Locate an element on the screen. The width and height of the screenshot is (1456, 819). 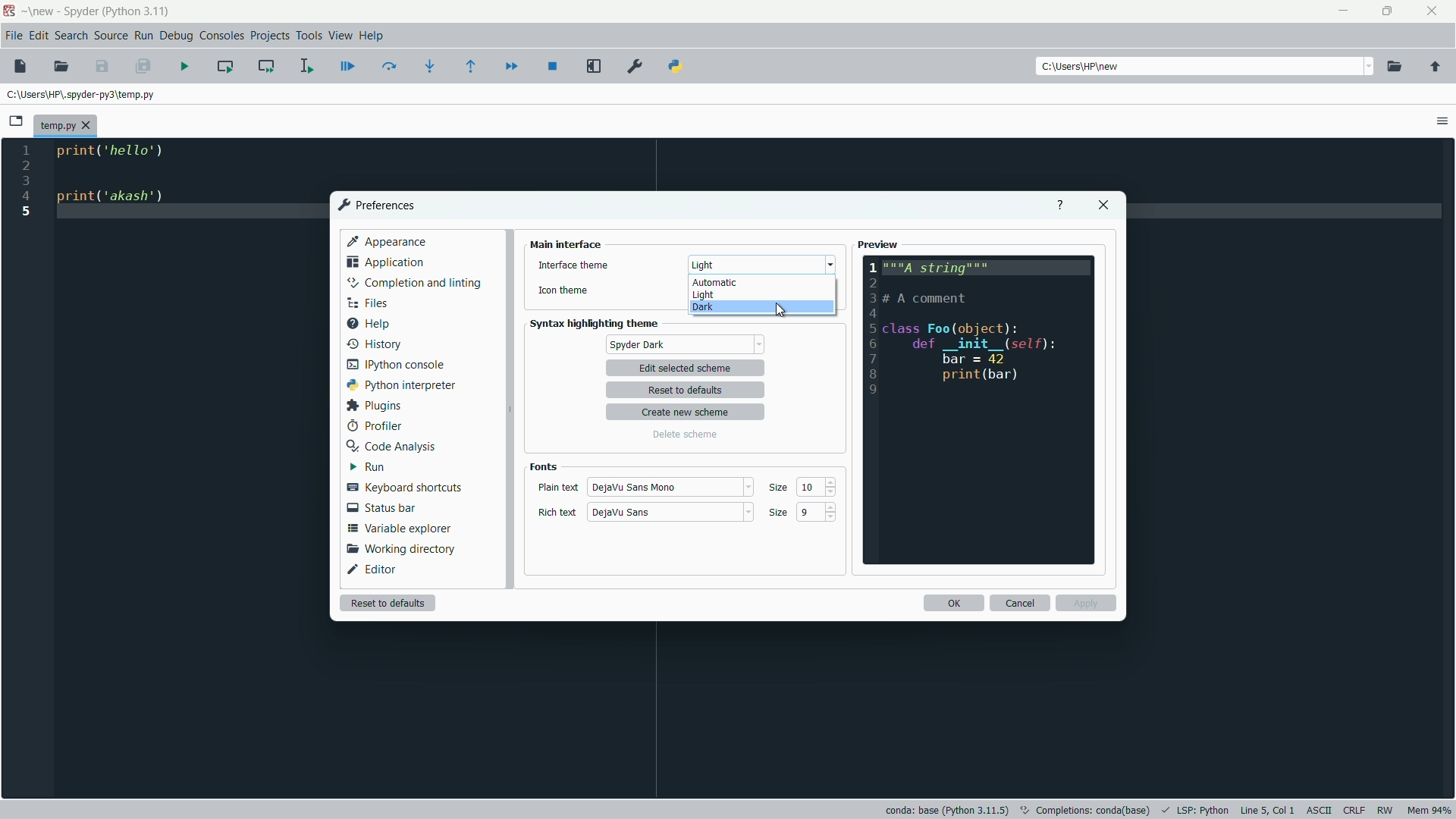
rw is located at coordinates (1387, 810).